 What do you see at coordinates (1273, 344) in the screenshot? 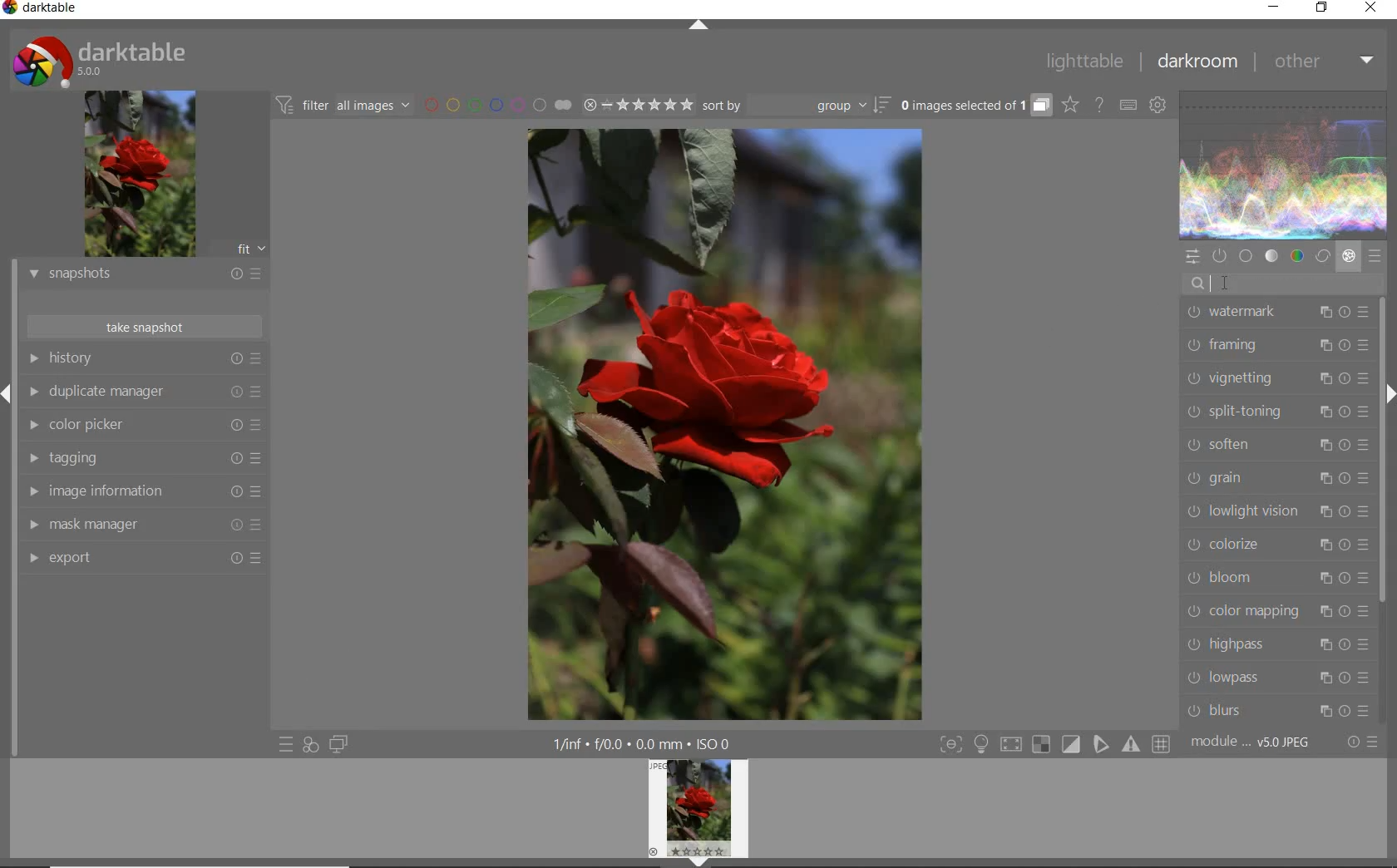
I see `framing` at bounding box center [1273, 344].